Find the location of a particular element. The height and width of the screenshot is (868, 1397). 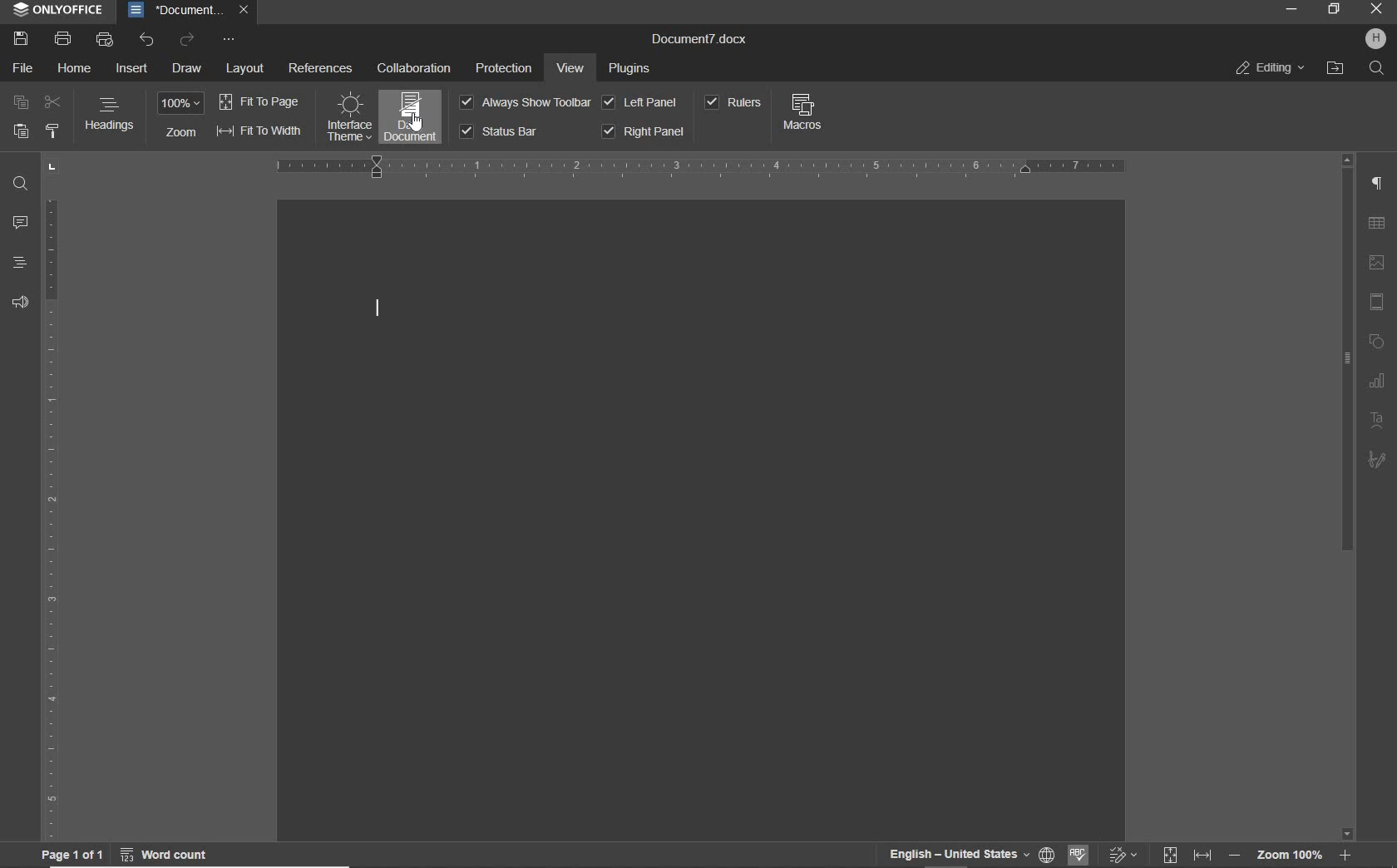

PAGE 1 OF 1 is located at coordinates (72, 856).